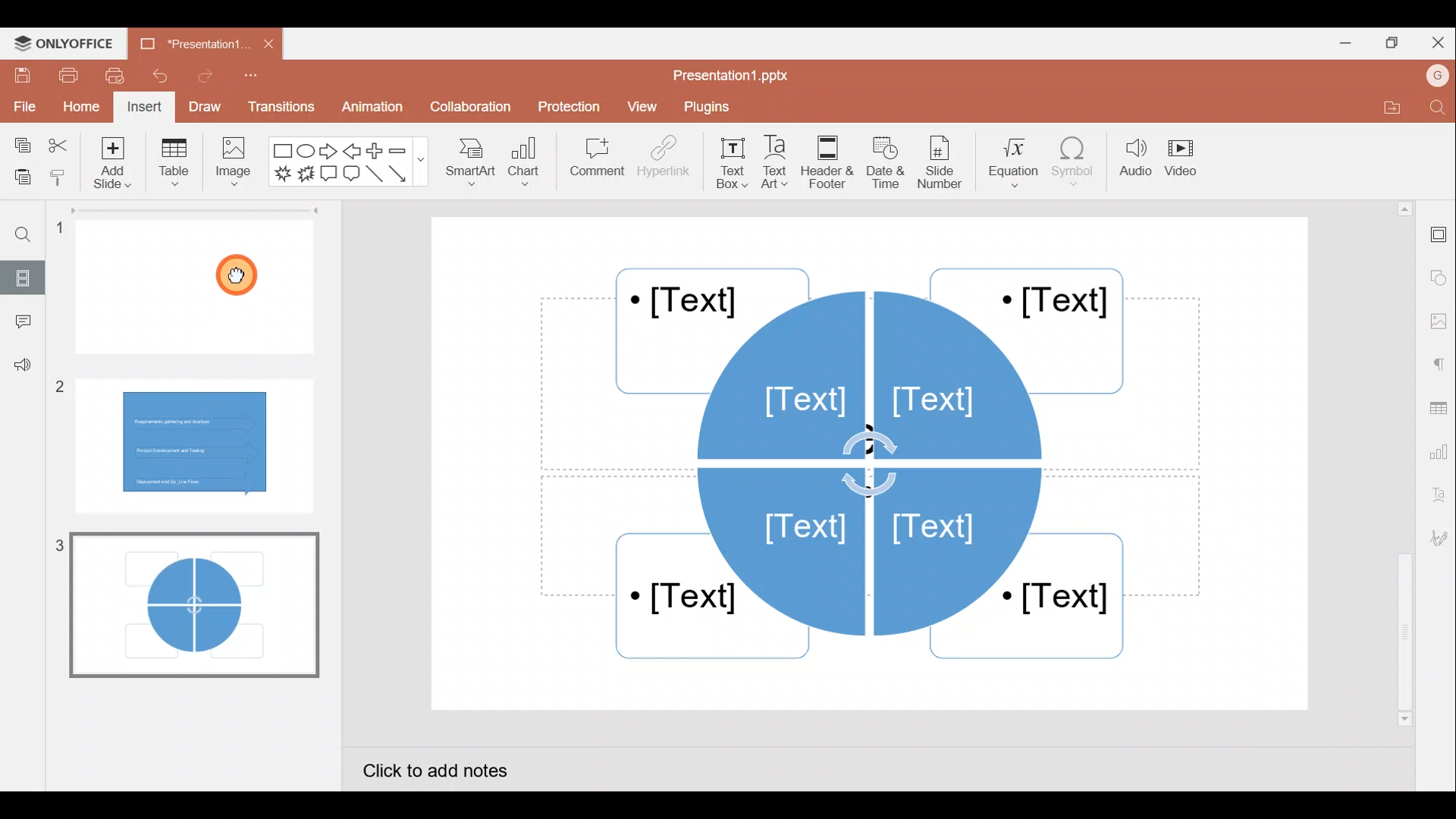  What do you see at coordinates (374, 174) in the screenshot?
I see `Line` at bounding box center [374, 174].